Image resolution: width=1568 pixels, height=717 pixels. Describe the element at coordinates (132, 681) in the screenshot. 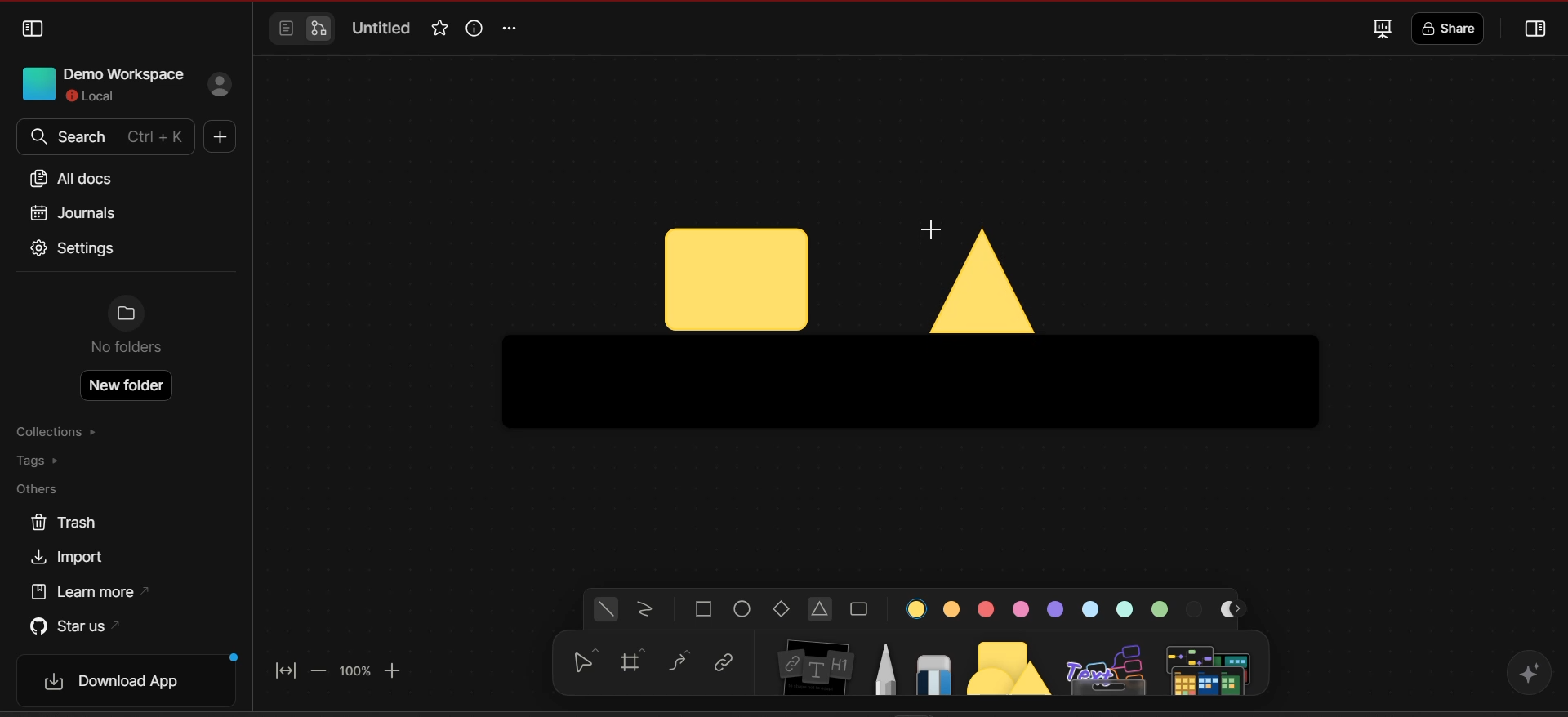

I see `download app` at that location.